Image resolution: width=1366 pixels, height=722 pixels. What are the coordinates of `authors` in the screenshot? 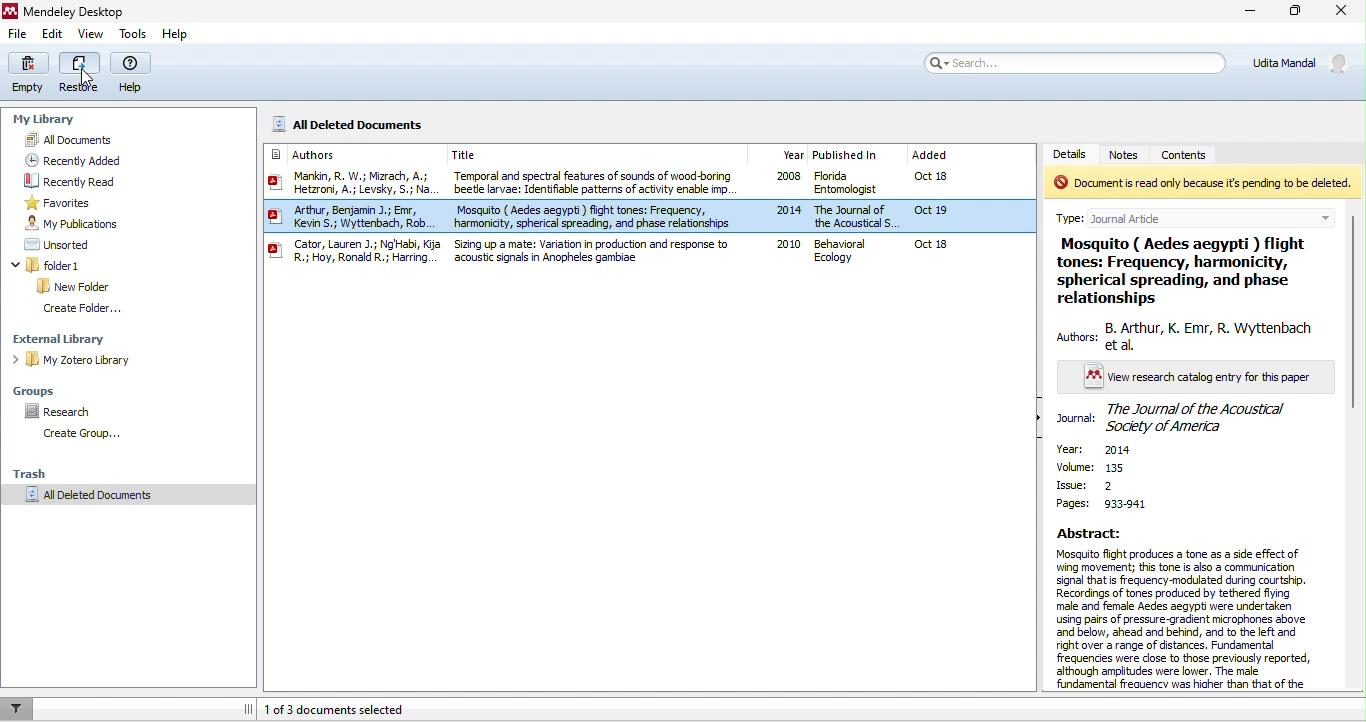 It's located at (316, 154).